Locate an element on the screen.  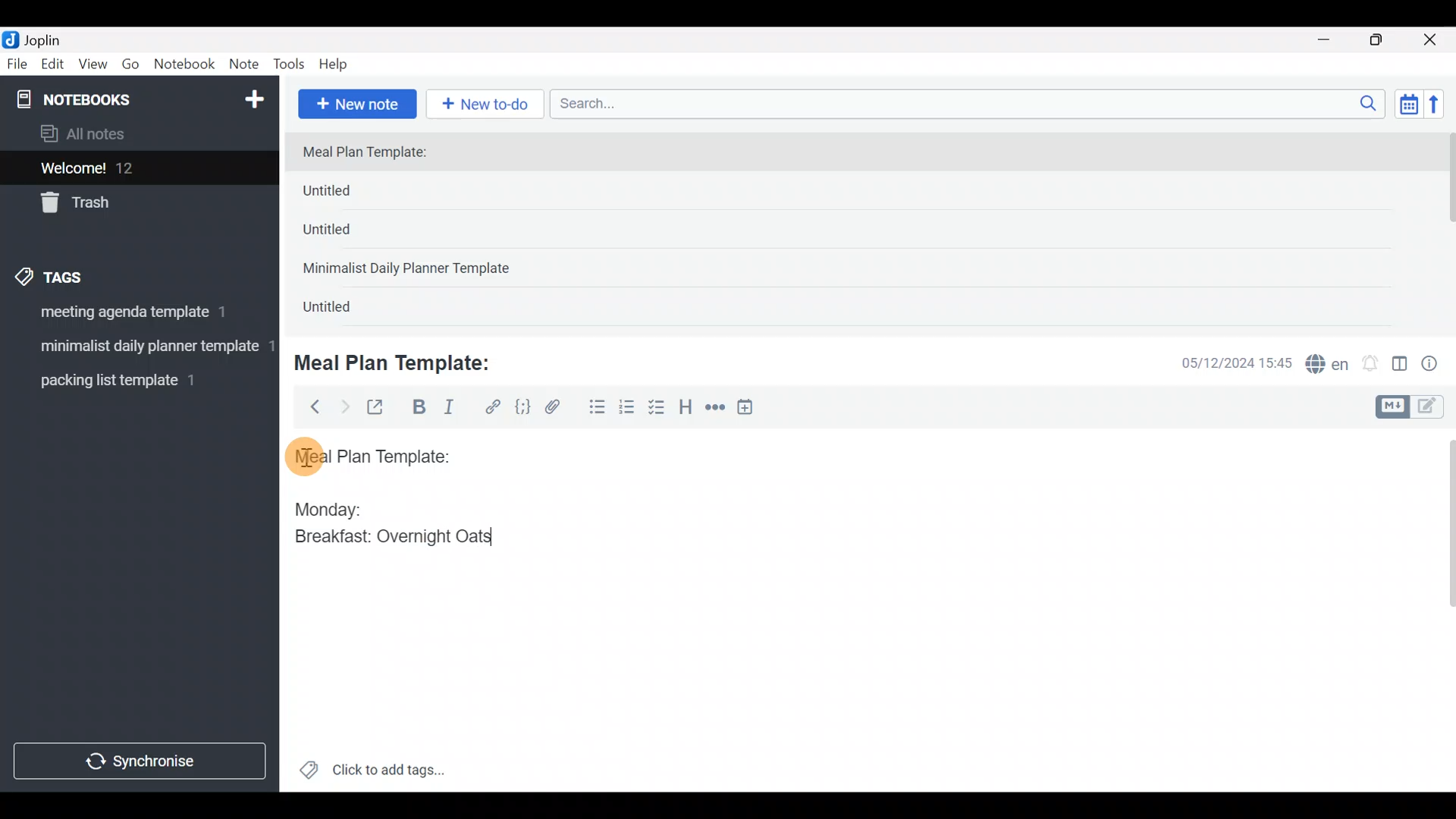
Search bar is located at coordinates (971, 102).